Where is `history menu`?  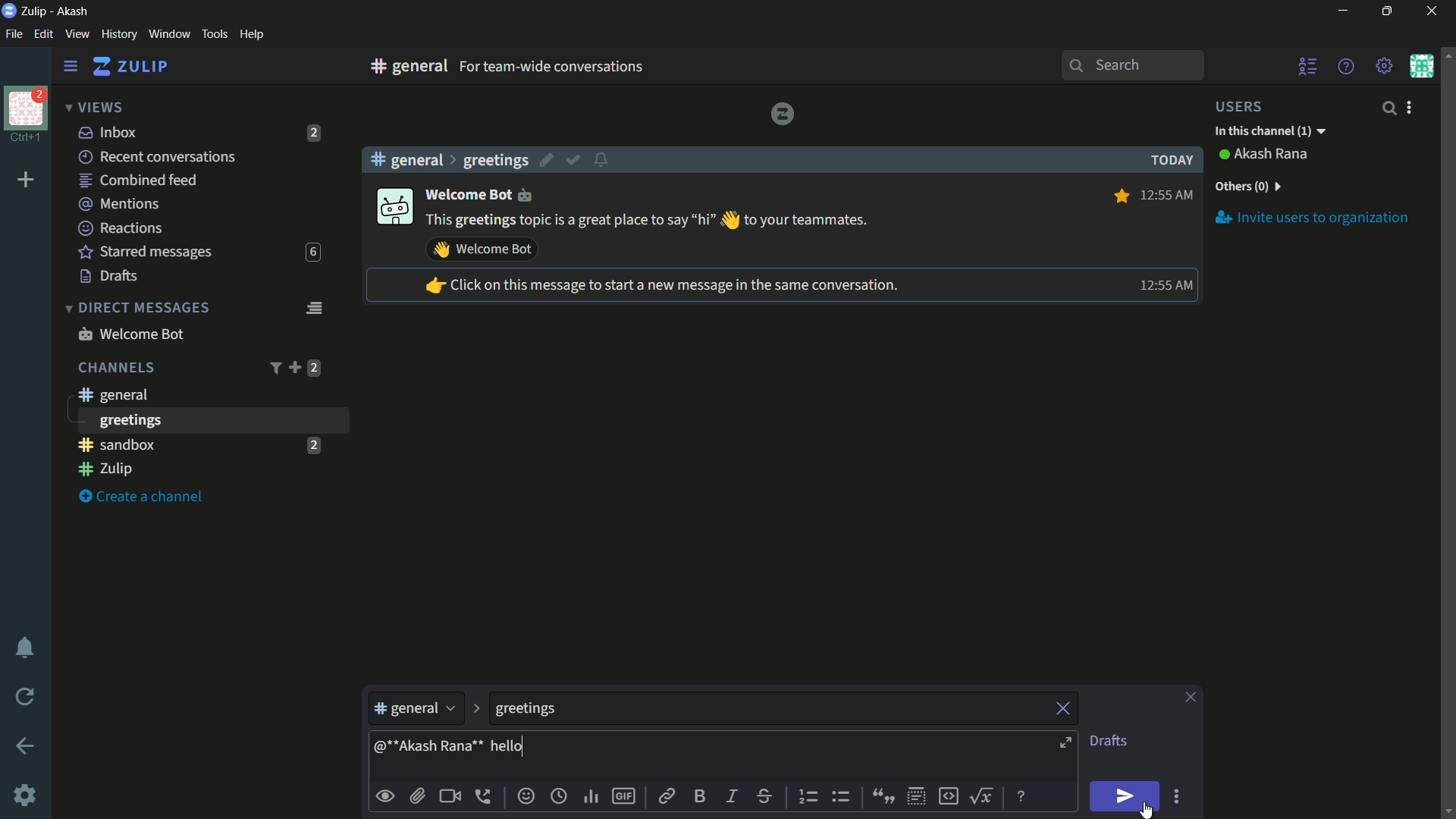 history menu is located at coordinates (119, 33).